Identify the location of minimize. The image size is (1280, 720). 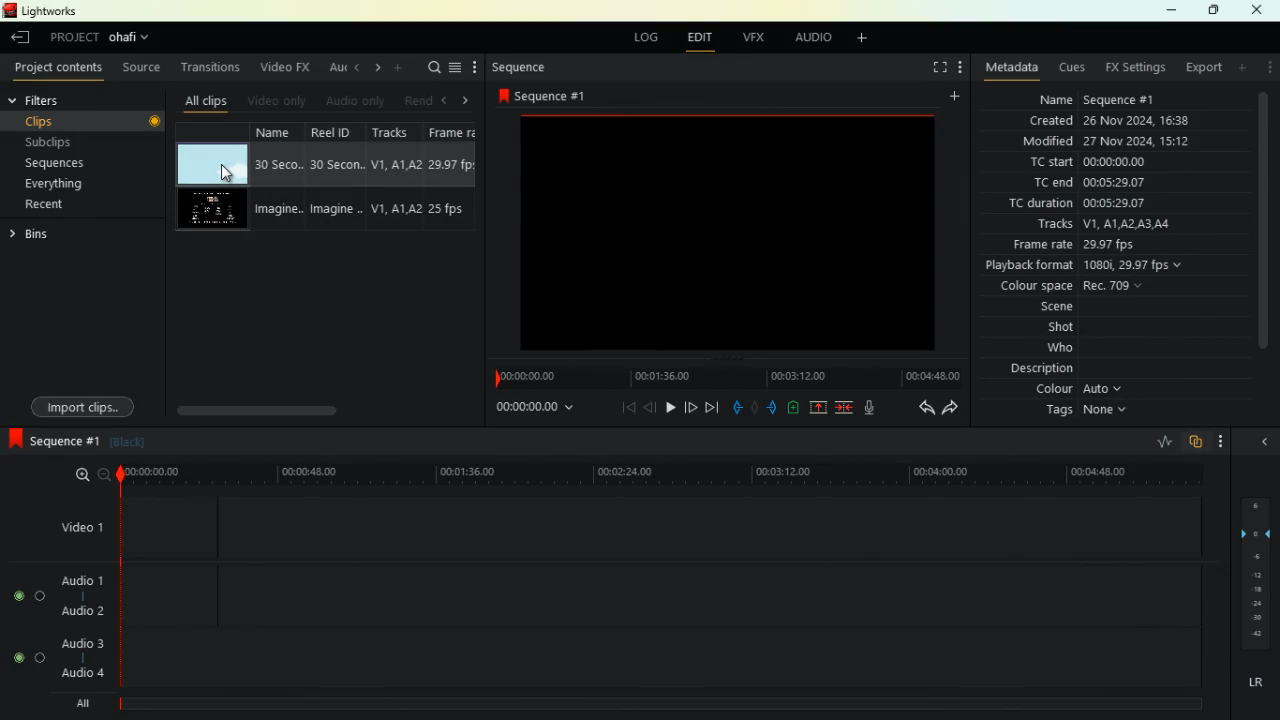
(1171, 10).